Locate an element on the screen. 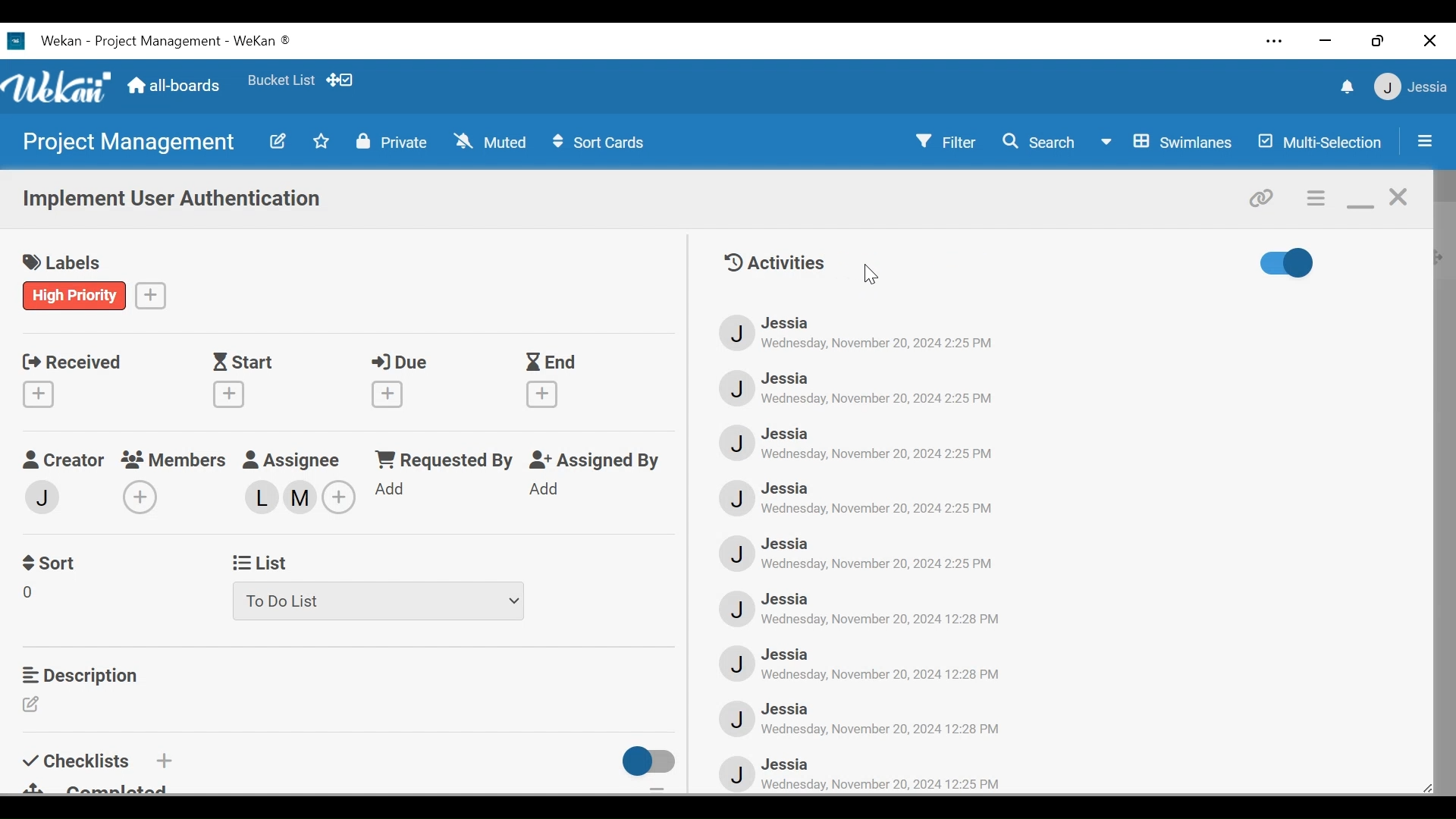 The image size is (1456, 819). Member Name is located at coordinates (786, 488).